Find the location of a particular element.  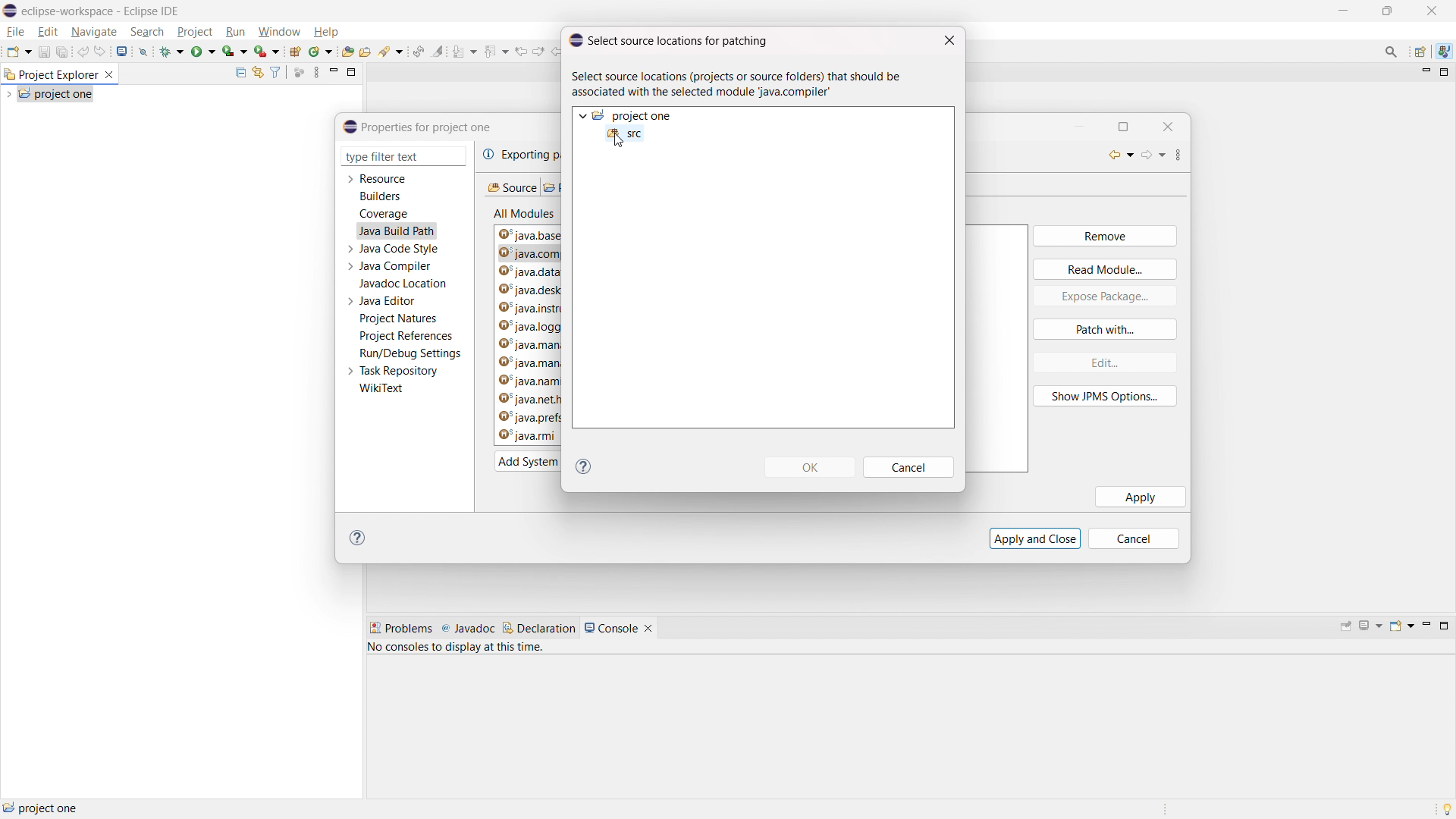

javadoc location is located at coordinates (404, 284).